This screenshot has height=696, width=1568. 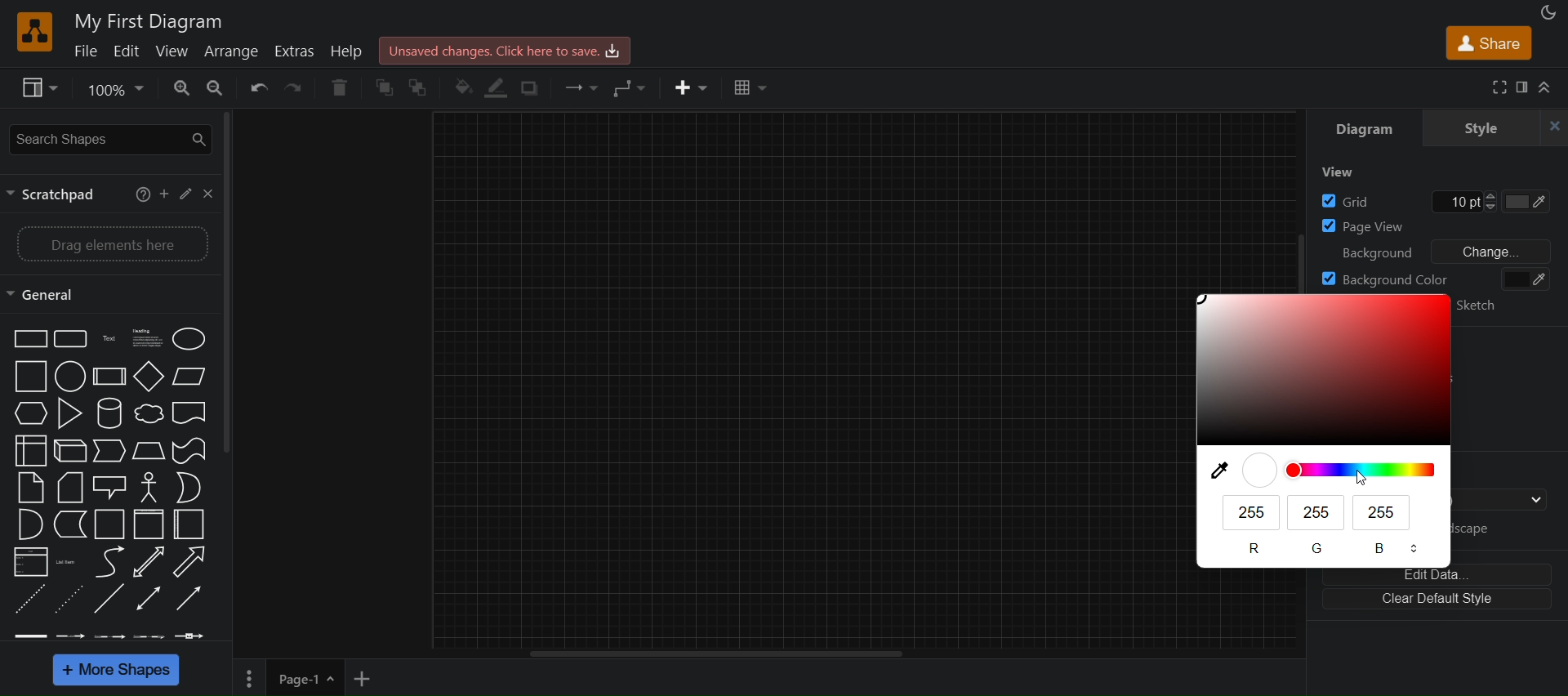 I want to click on diagram, so click(x=1365, y=125).